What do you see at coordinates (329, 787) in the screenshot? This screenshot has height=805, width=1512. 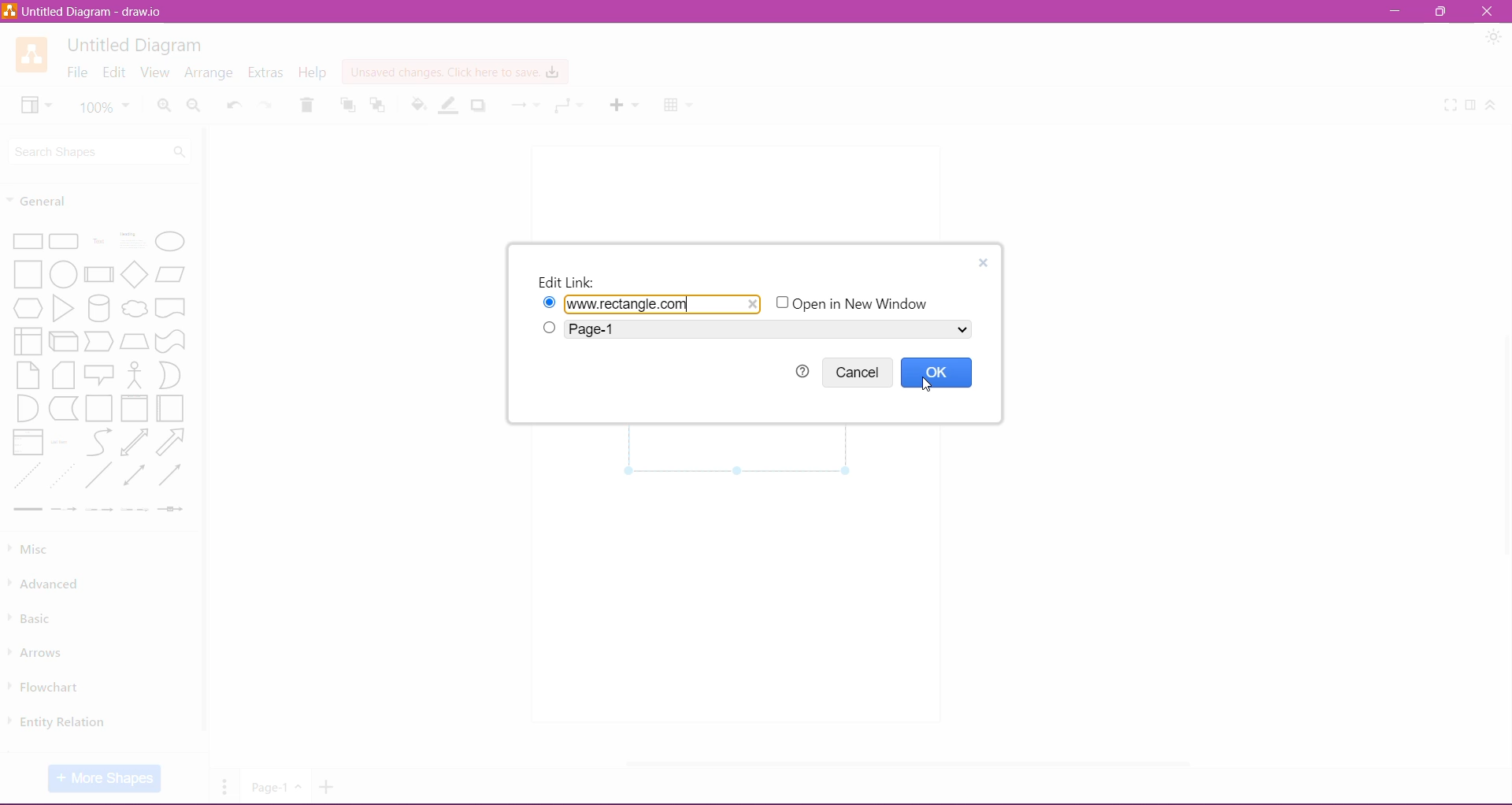 I see `Insert Page` at bounding box center [329, 787].